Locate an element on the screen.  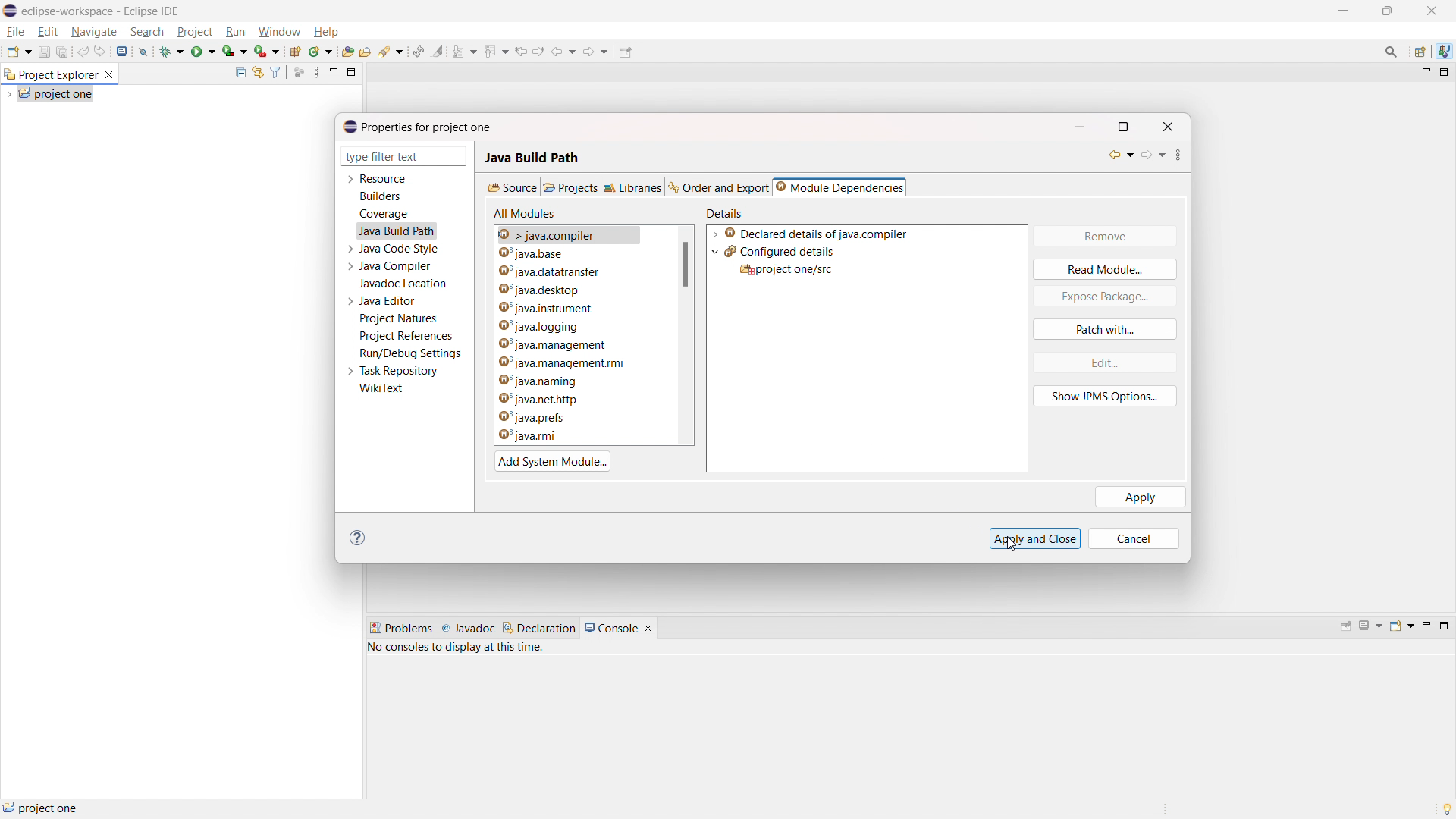
window is located at coordinates (278, 33).